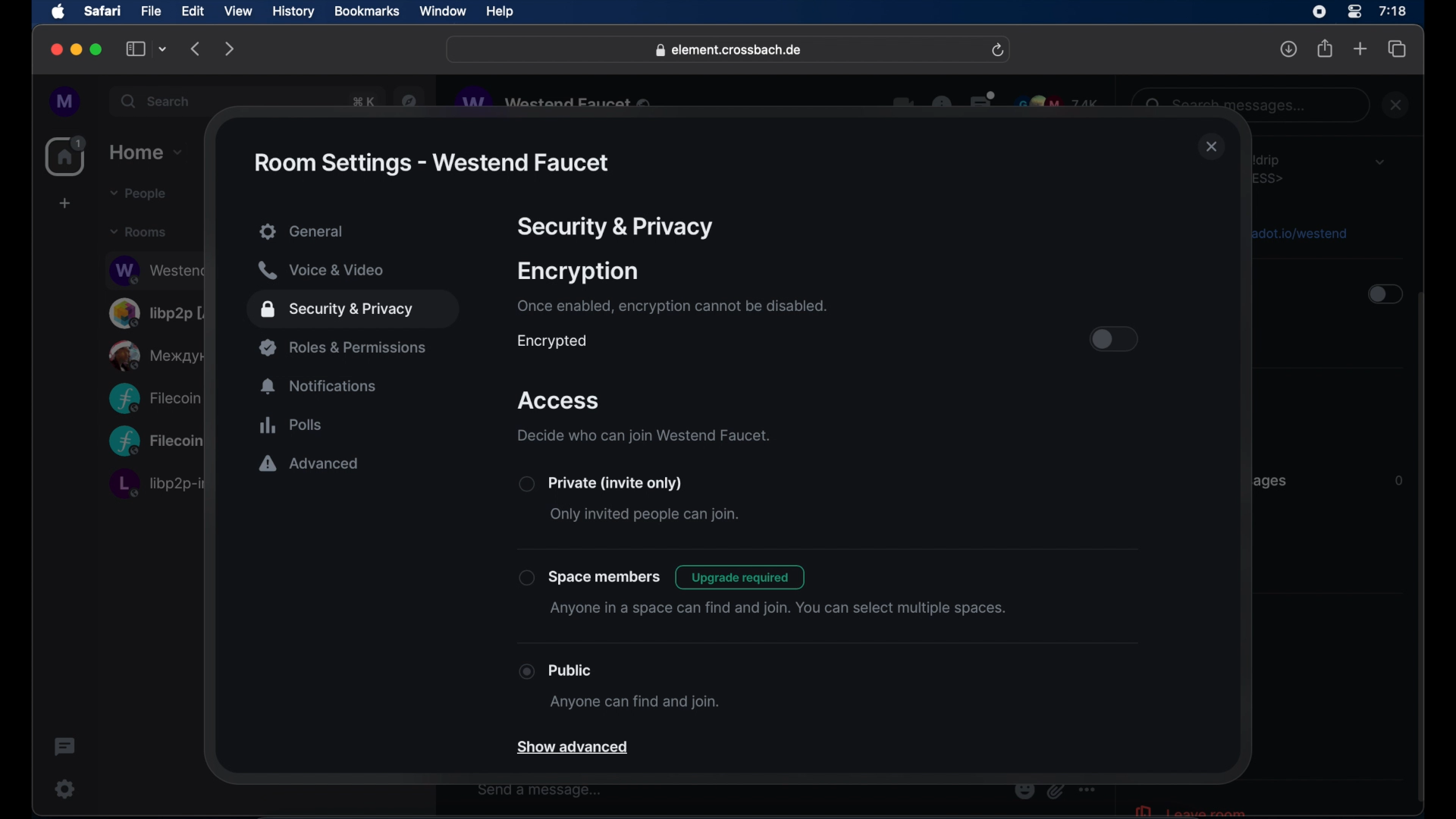 This screenshot has height=819, width=1456. What do you see at coordinates (742, 577) in the screenshot?
I see `upgrade required` at bounding box center [742, 577].